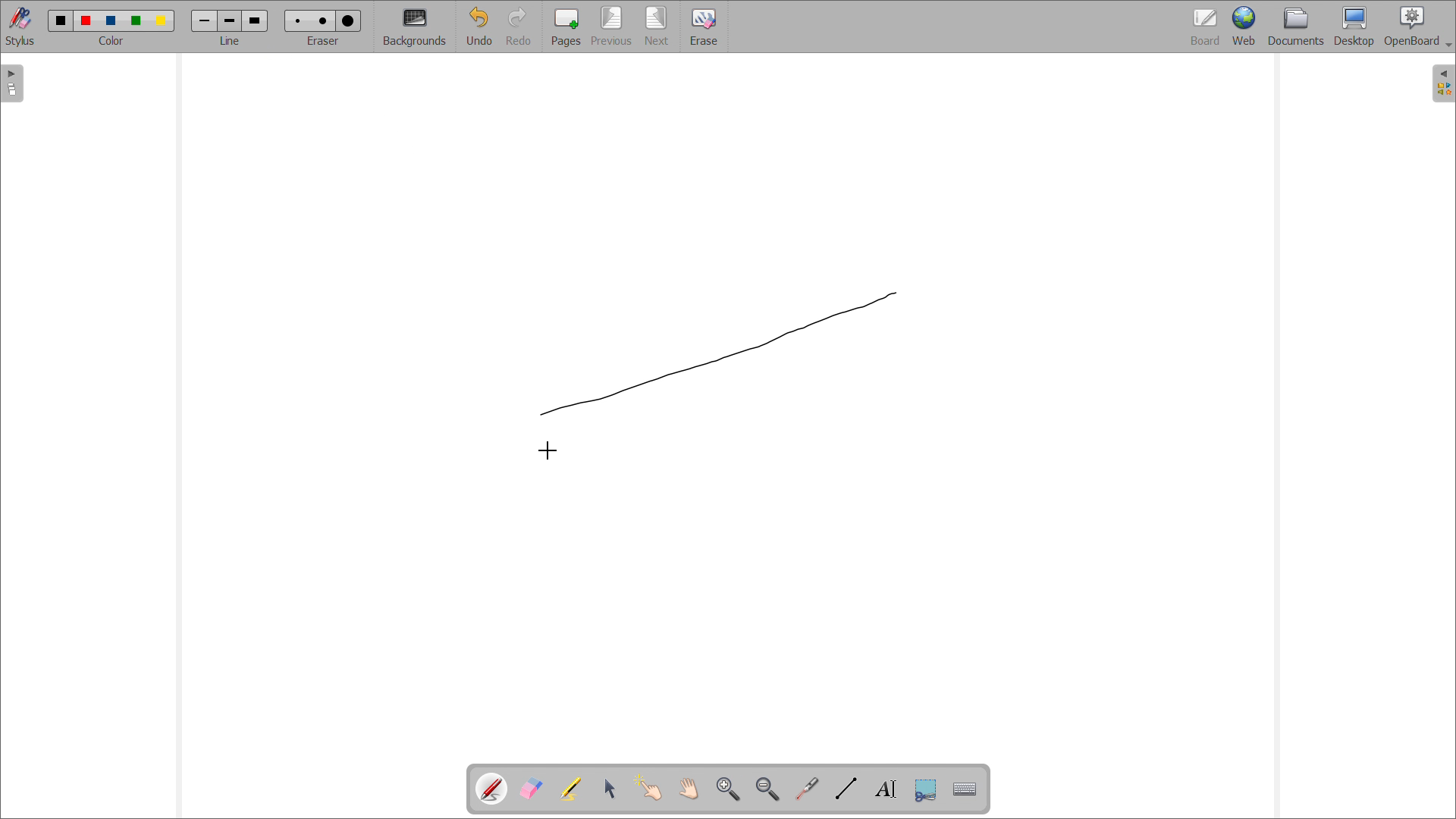 This screenshot has width=1456, height=819. What do you see at coordinates (138, 21) in the screenshot?
I see `color` at bounding box center [138, 21].